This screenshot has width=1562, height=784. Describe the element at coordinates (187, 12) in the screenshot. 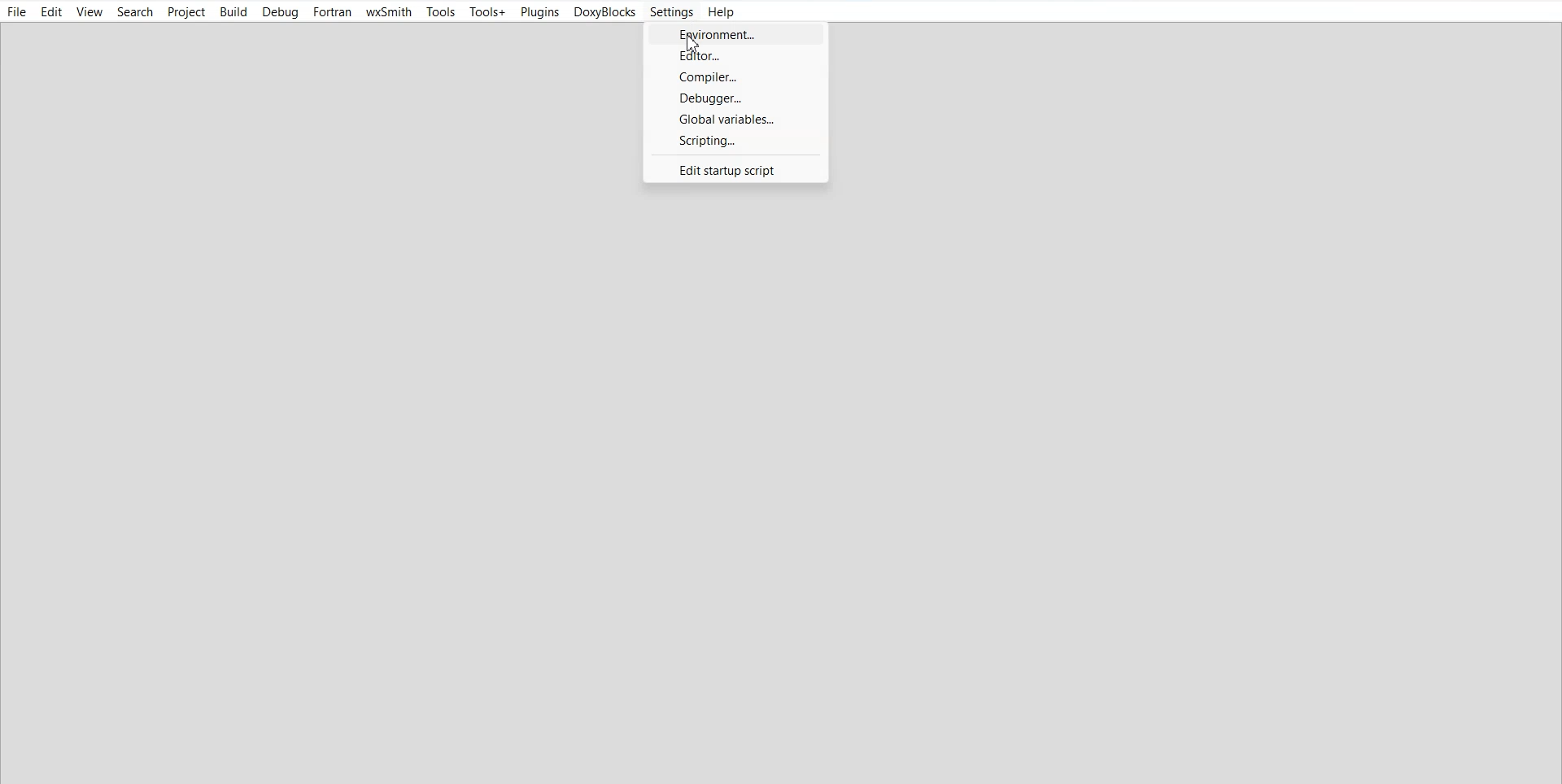

I see `Project` at that location.